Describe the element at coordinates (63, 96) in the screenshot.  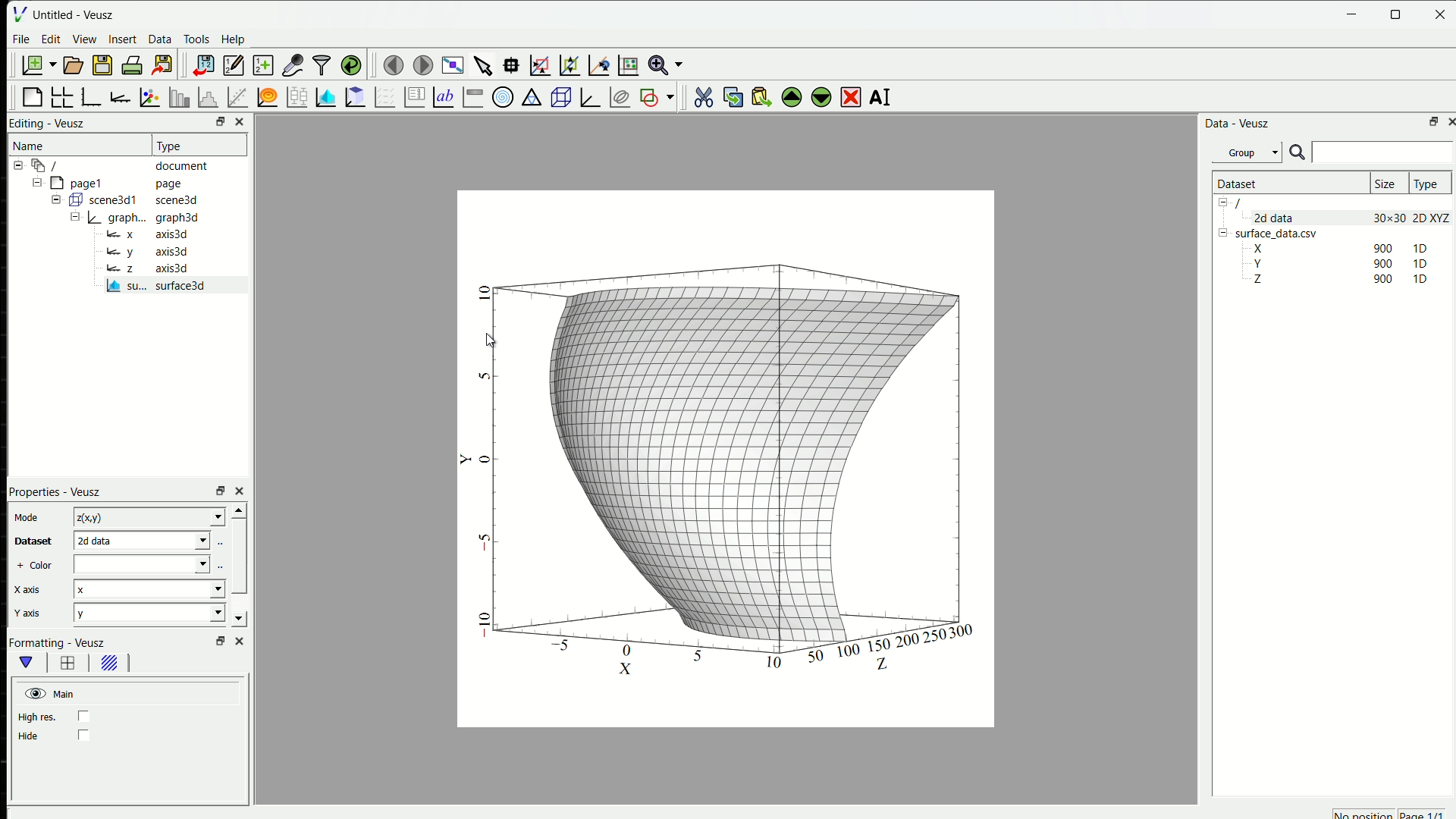
I see `arrange graphs in a grid` at that location.